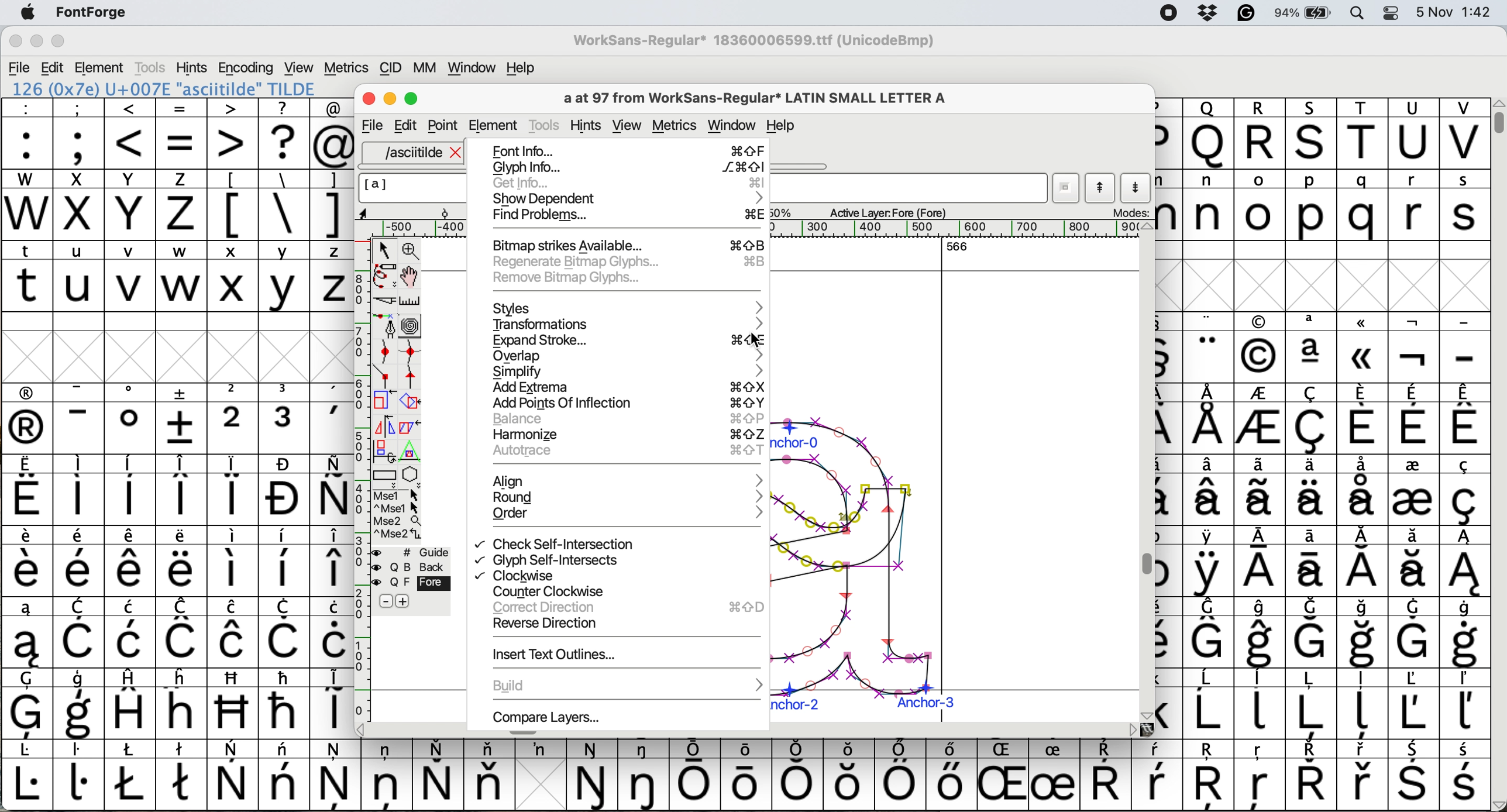  What do you see at coordinates (558, 544) in the screenshot?
I see `check self intersection` at bounding box center [558, 544].